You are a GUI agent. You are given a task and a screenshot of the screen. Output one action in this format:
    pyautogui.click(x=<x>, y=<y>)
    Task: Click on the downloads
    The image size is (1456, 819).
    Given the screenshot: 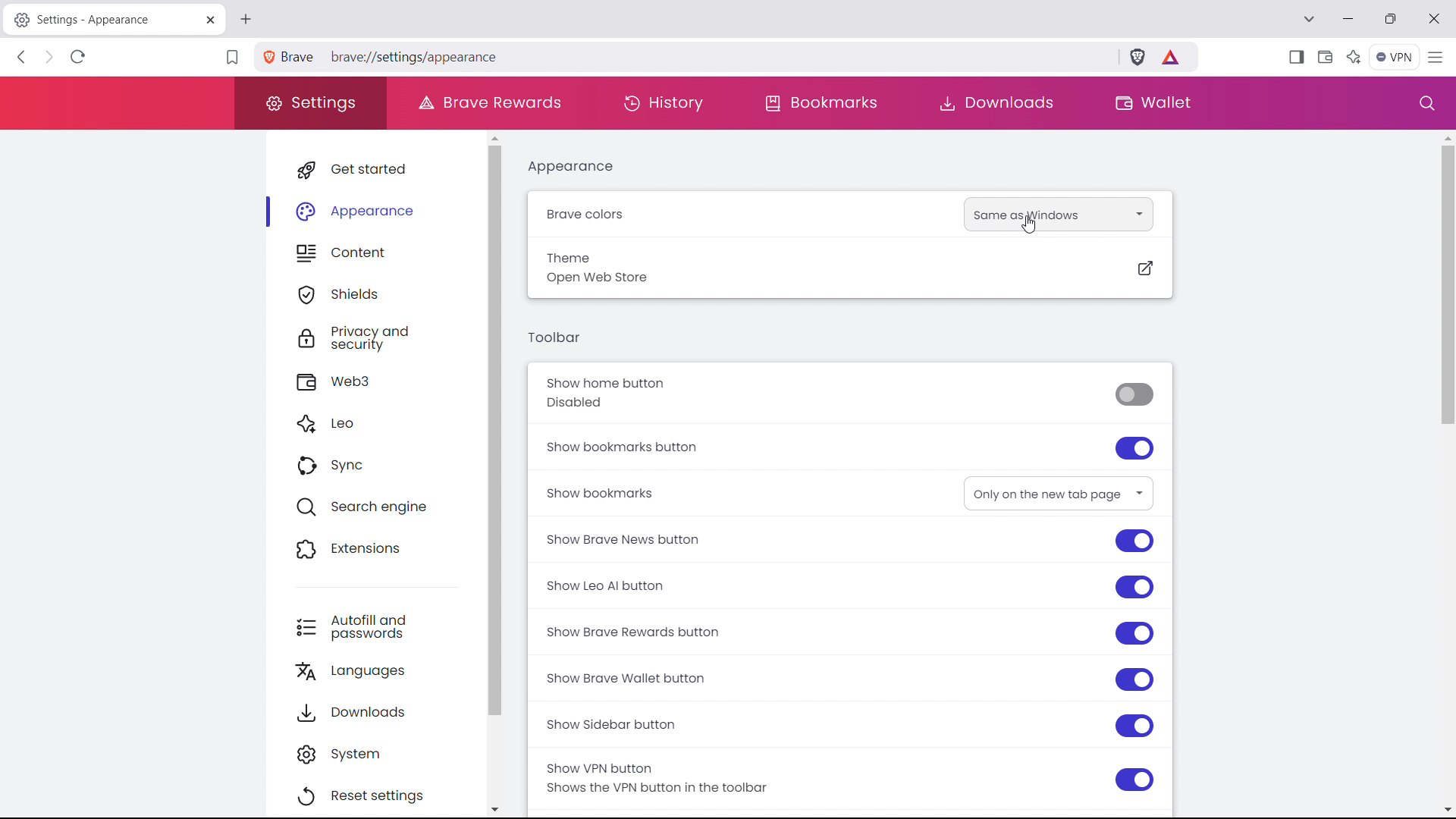 What is the action you would take?
    pyautogui.click(x=384, y=709)
    